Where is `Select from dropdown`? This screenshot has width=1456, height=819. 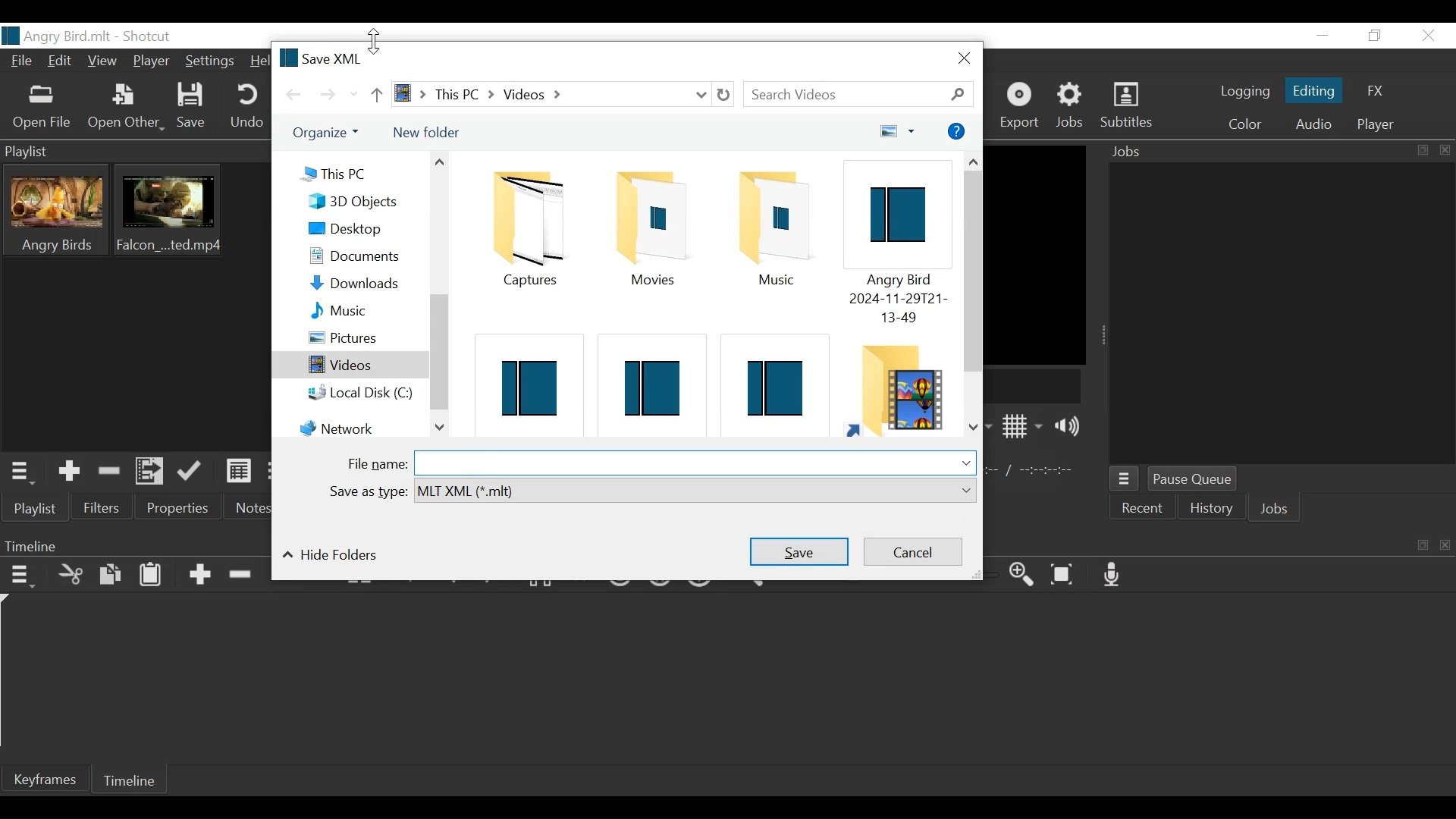 Select from dropdown is located at coordinates (694, 491).